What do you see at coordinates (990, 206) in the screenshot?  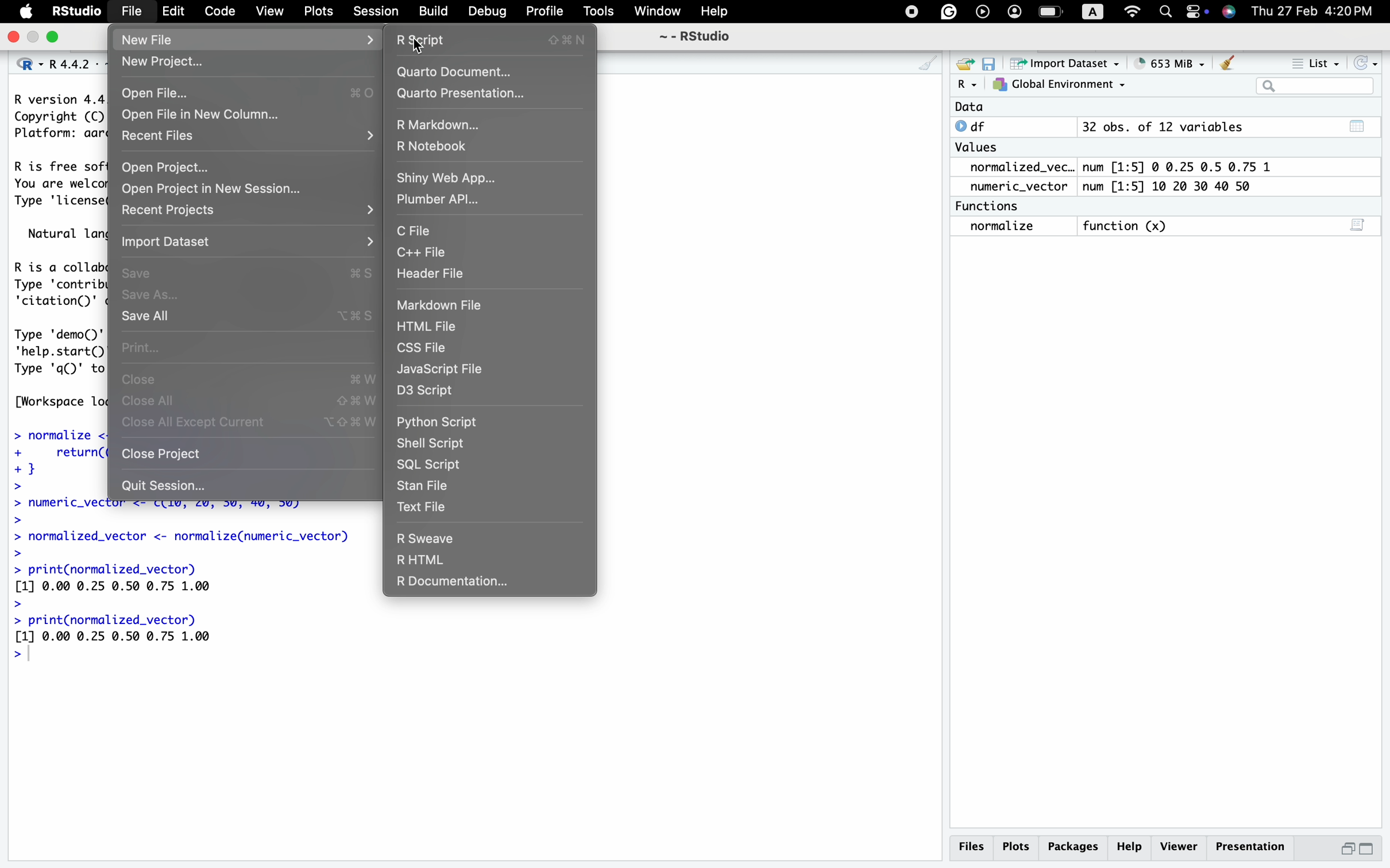 I see `Functions` at bounding box center [990, 206].